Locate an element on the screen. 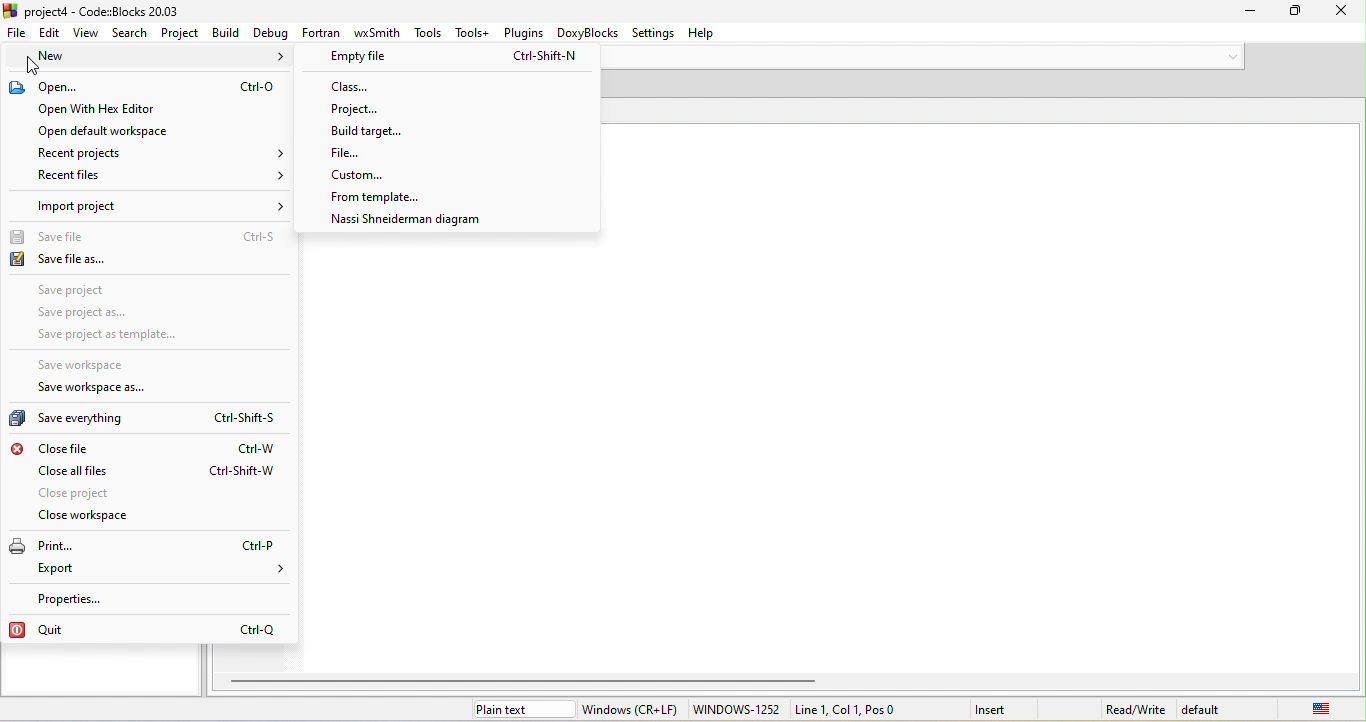  build targrt is located at coordinates (379, 131).